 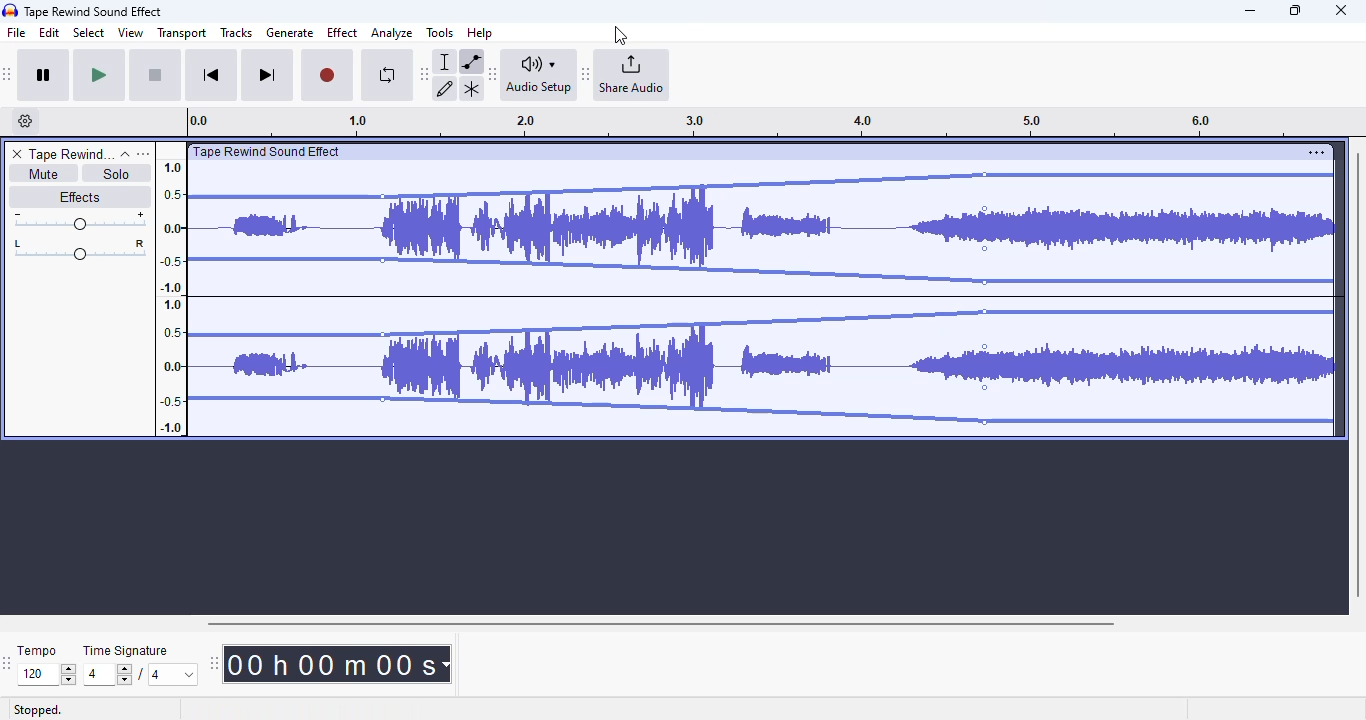 What do you see at coordinates (539, 74) in the screenshot?
I see `audio setup` at bounding box center [539, 74].